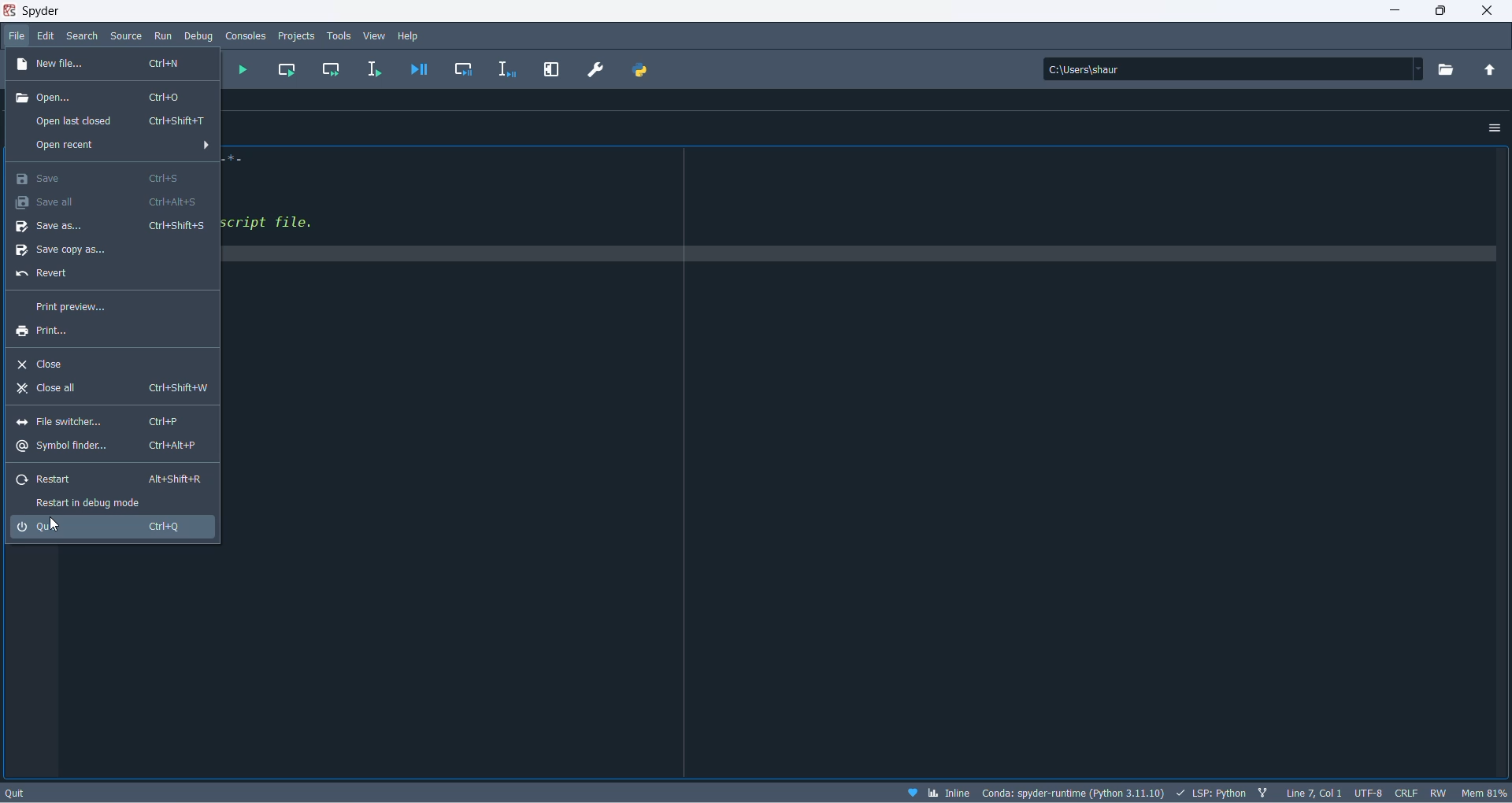 Image resolution: width=1512 pixels, height=803 pixels. Describe the element at coordinates (906, 792) in the screenshot. I see `help spyder` at that location.